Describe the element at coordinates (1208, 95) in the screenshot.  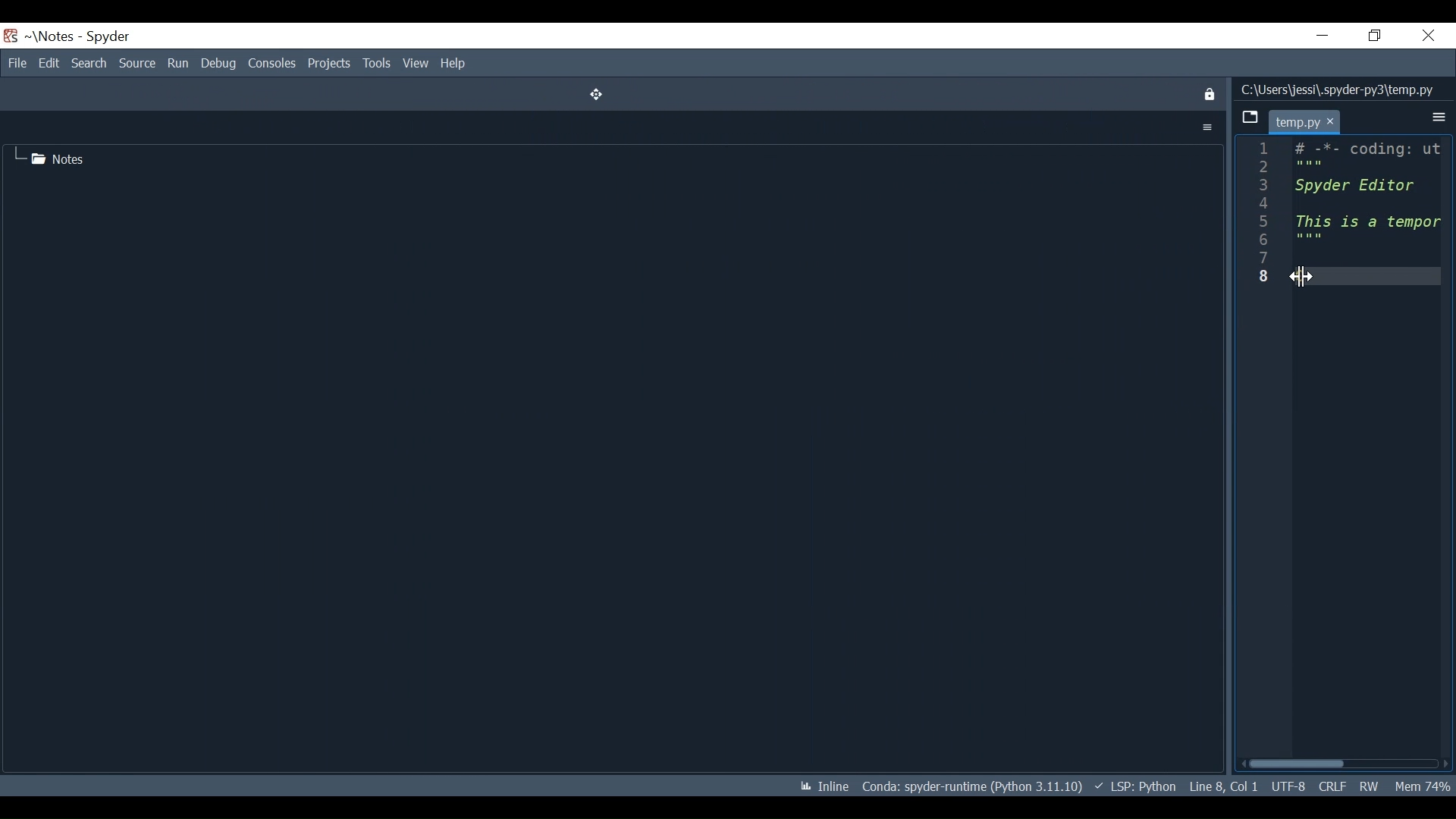
I see `Close` at that location.